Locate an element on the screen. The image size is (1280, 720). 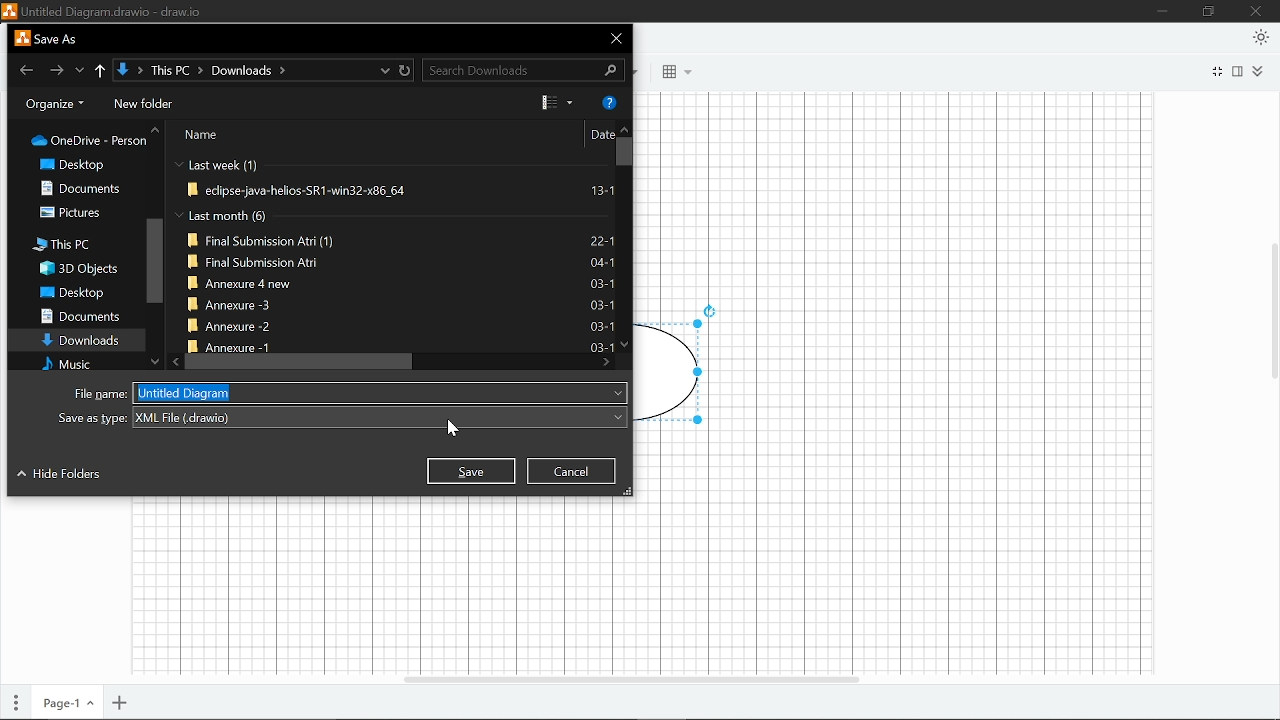
File name is located at coordinates (350, 392).